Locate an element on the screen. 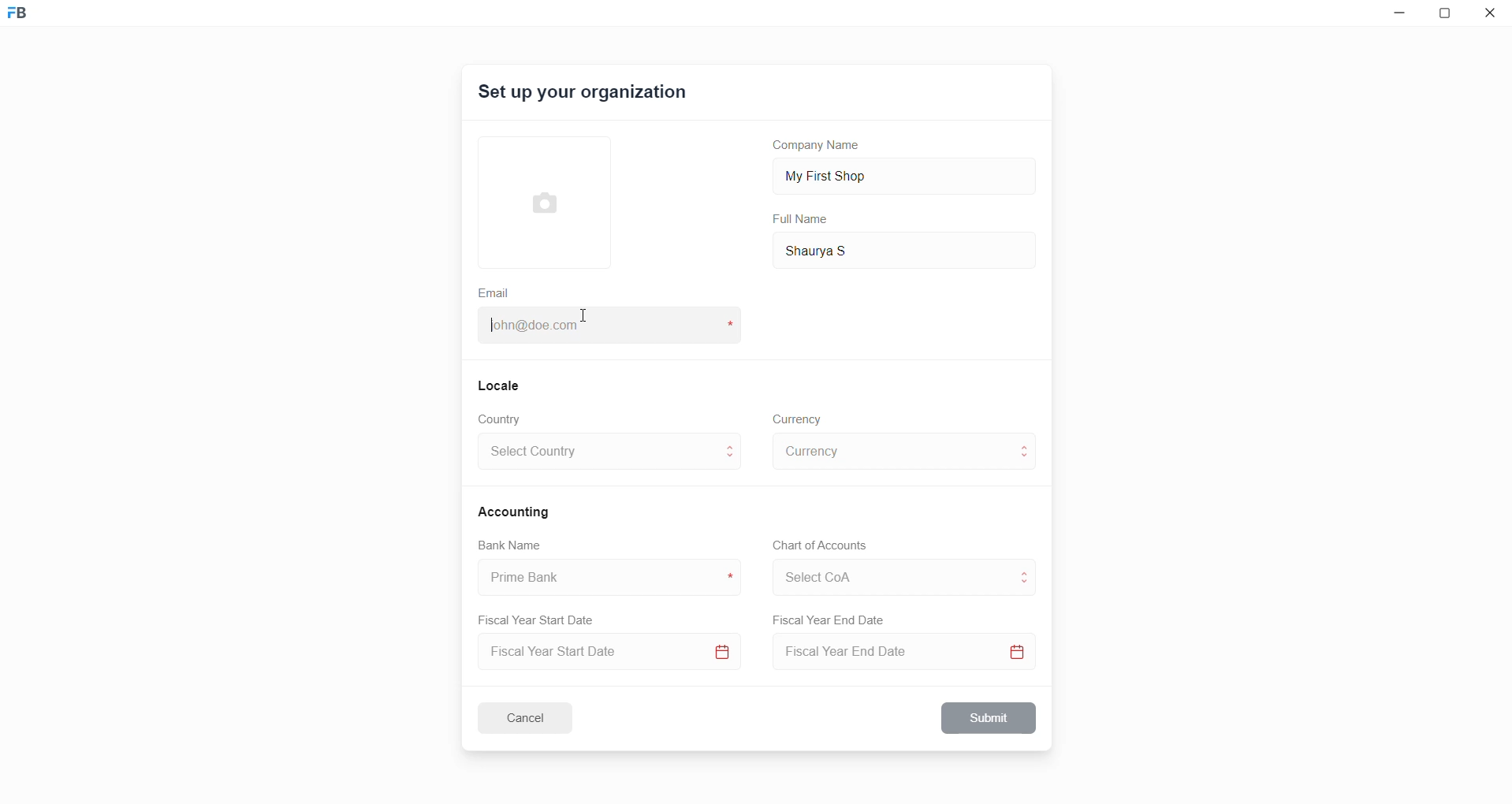 The height and width of the screenshot is (804, 1512). bank name input box is located at coordinates (603, 578).